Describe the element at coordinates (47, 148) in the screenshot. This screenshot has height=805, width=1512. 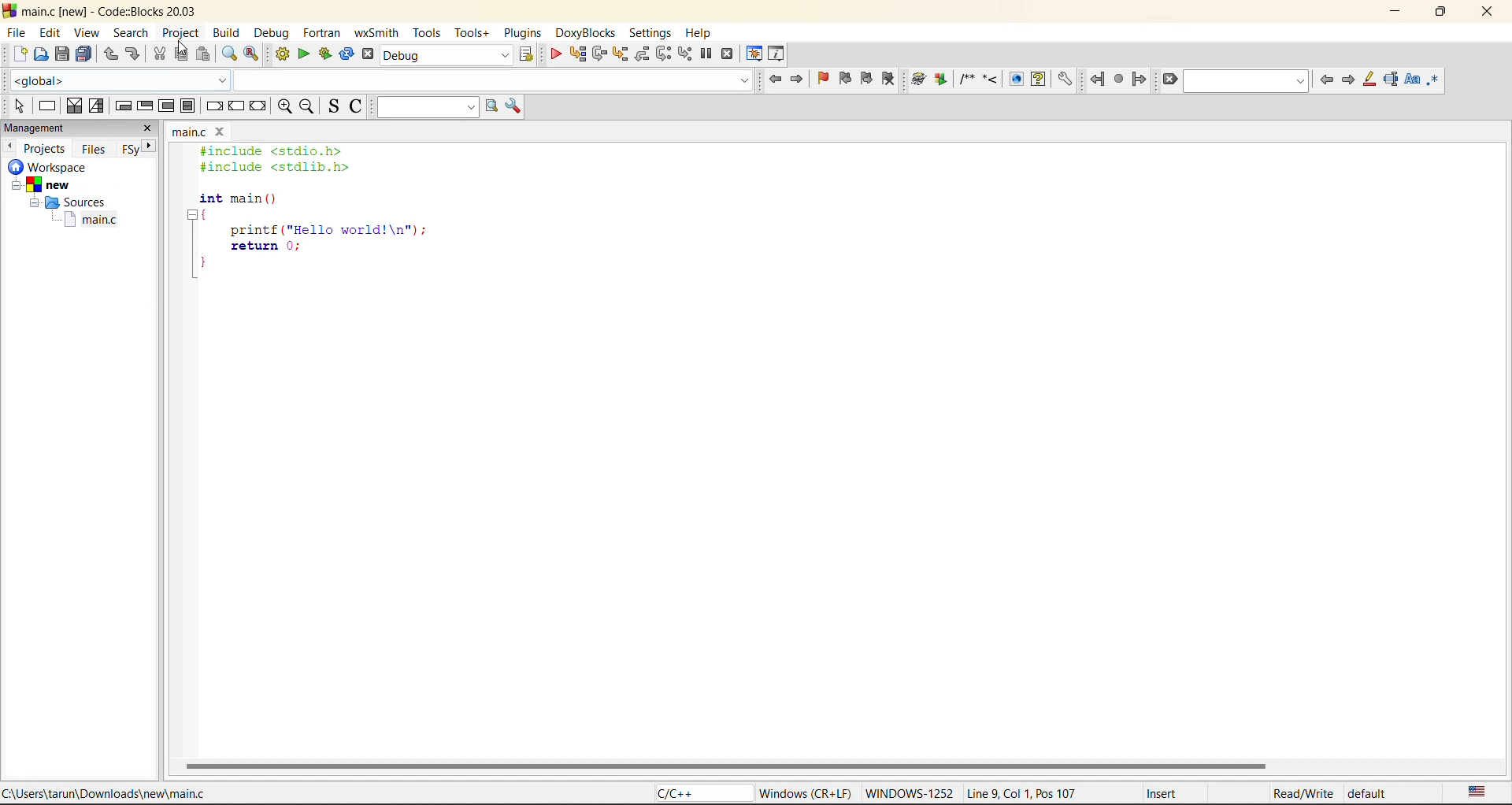
I see `projects` at that location.